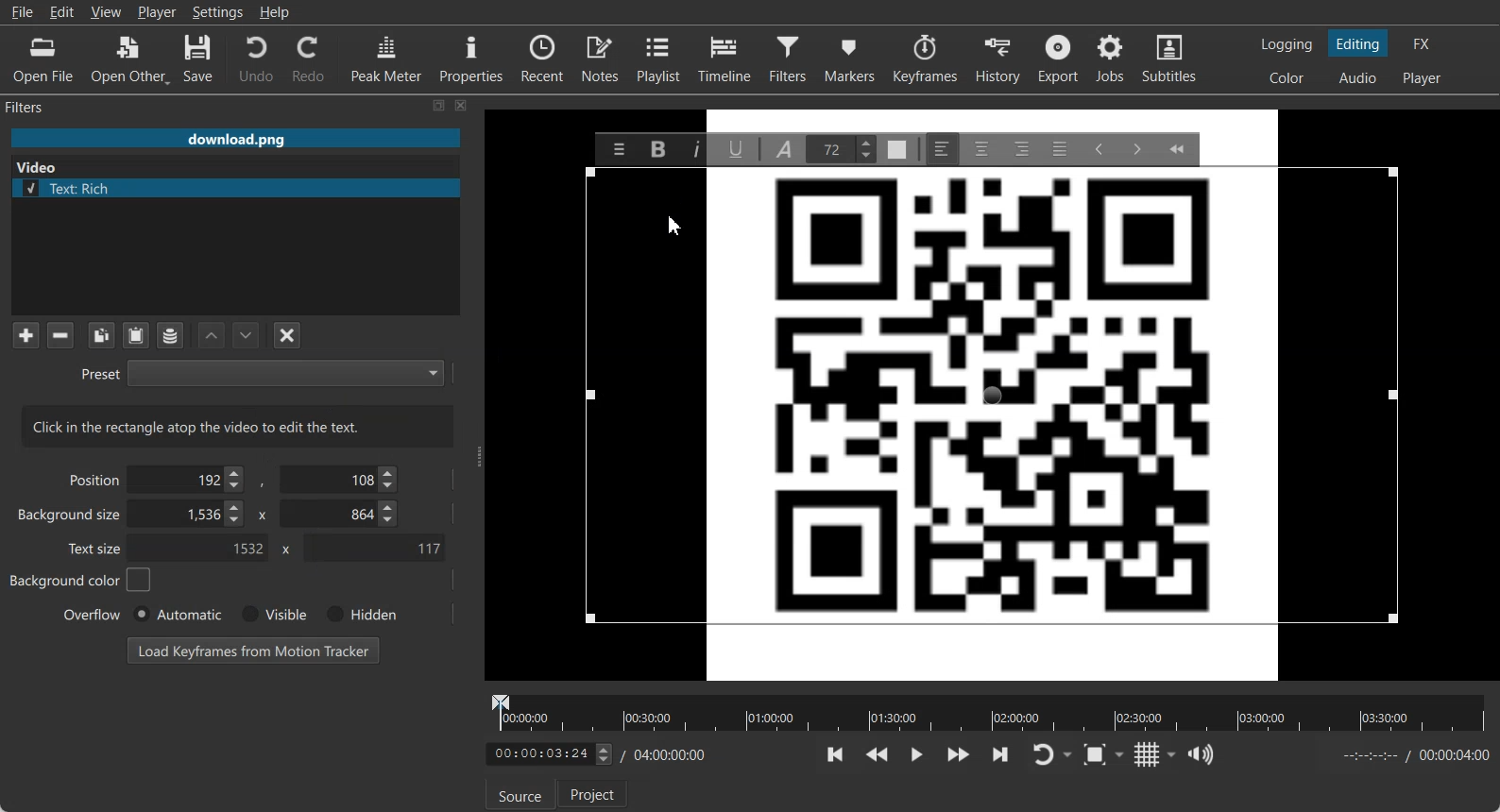 The width and height of the screenshot is (1500, 812). What do you see at coordinates (981, 148) in the screenshot?
I see `Center` at bounding box center [981, 148].